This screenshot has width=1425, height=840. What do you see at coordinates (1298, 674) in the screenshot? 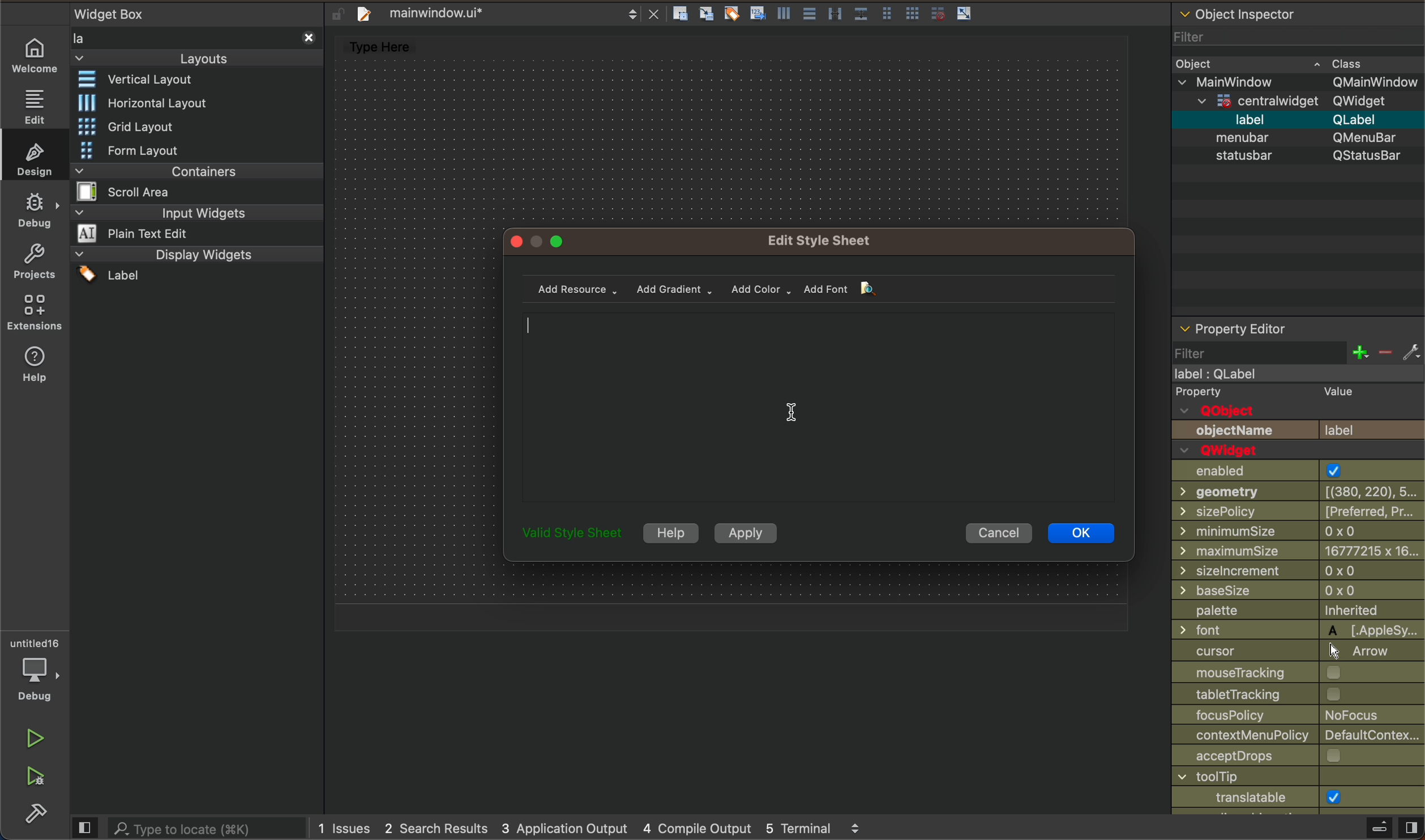
I see `` at bounding box center [1298, 674].